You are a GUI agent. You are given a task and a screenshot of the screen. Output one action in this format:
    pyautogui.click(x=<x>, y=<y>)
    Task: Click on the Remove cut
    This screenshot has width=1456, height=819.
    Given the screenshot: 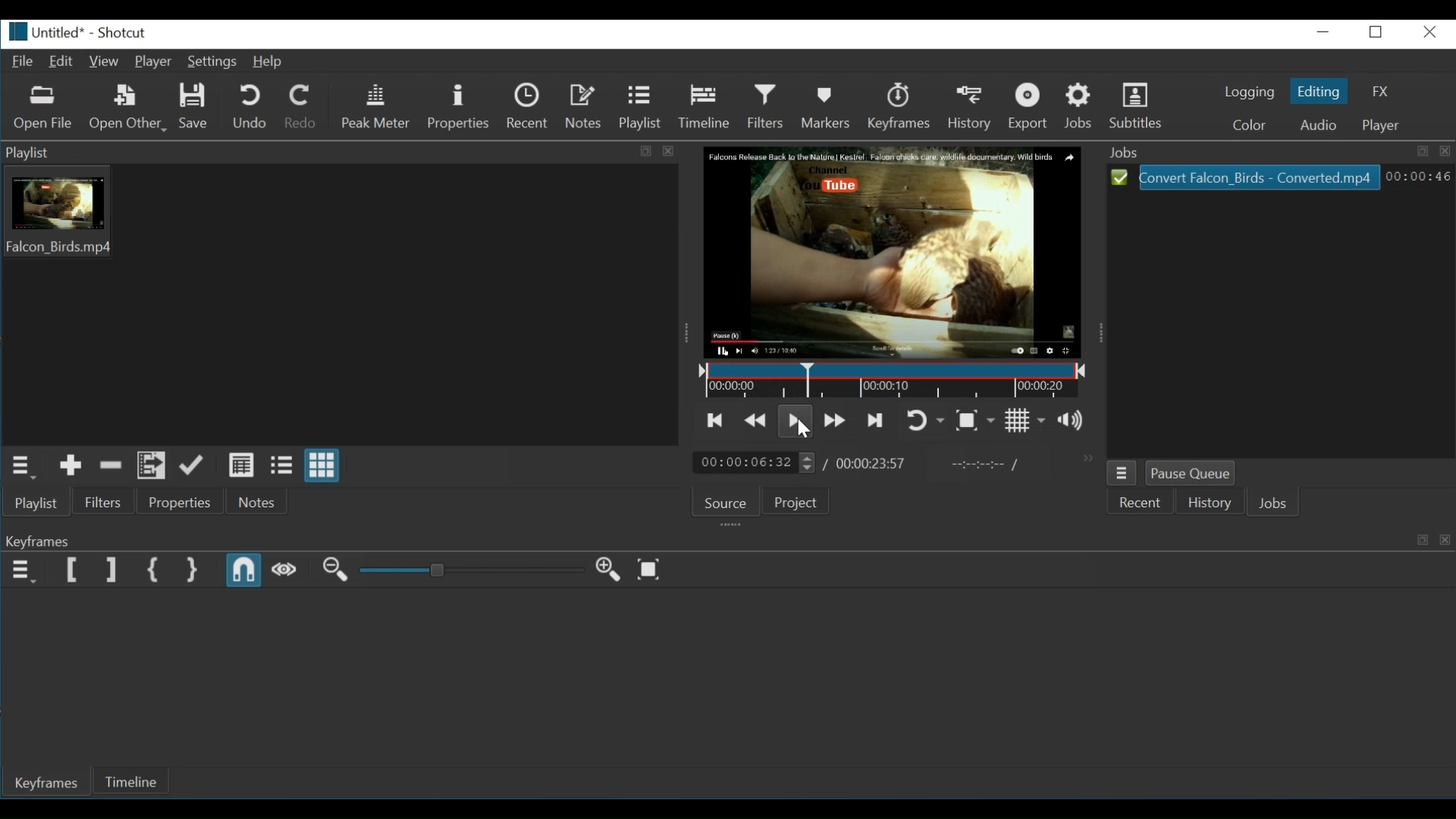 What is the action you would take?
    pyautogui.click(x=111, y=466)
    